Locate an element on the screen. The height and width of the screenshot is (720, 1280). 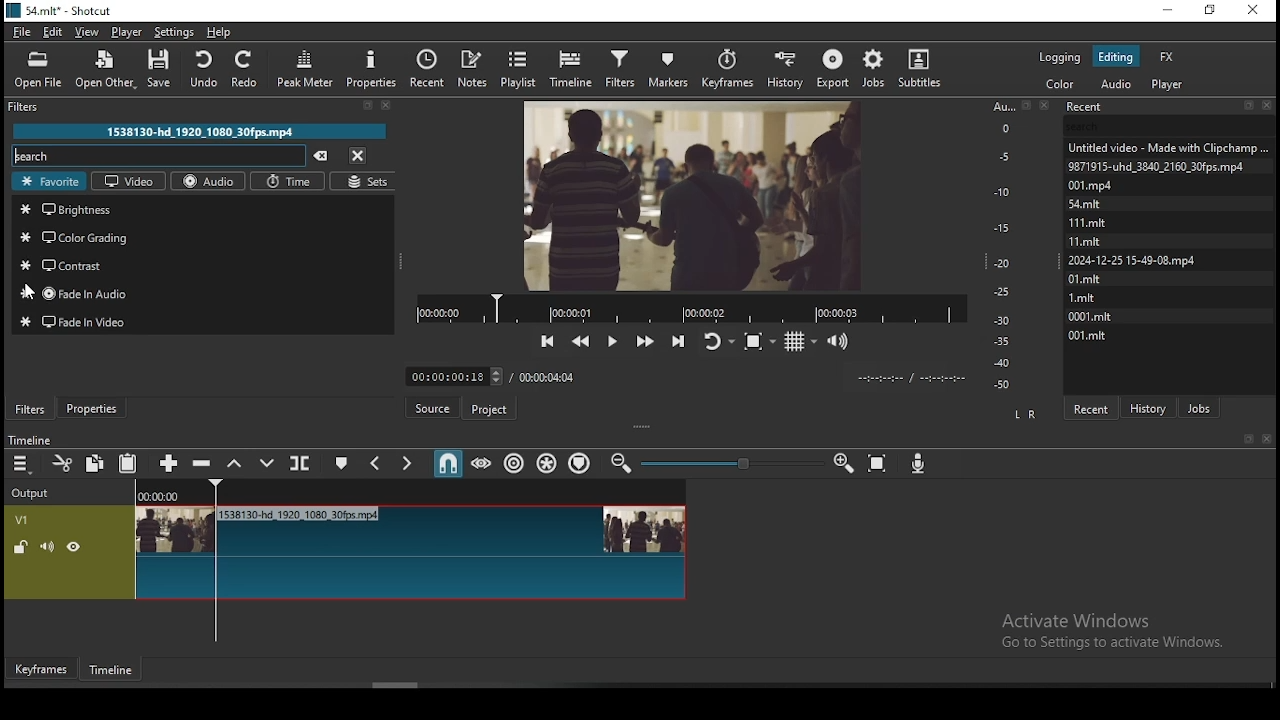
1.mit is located at coordinates (1081, 296).